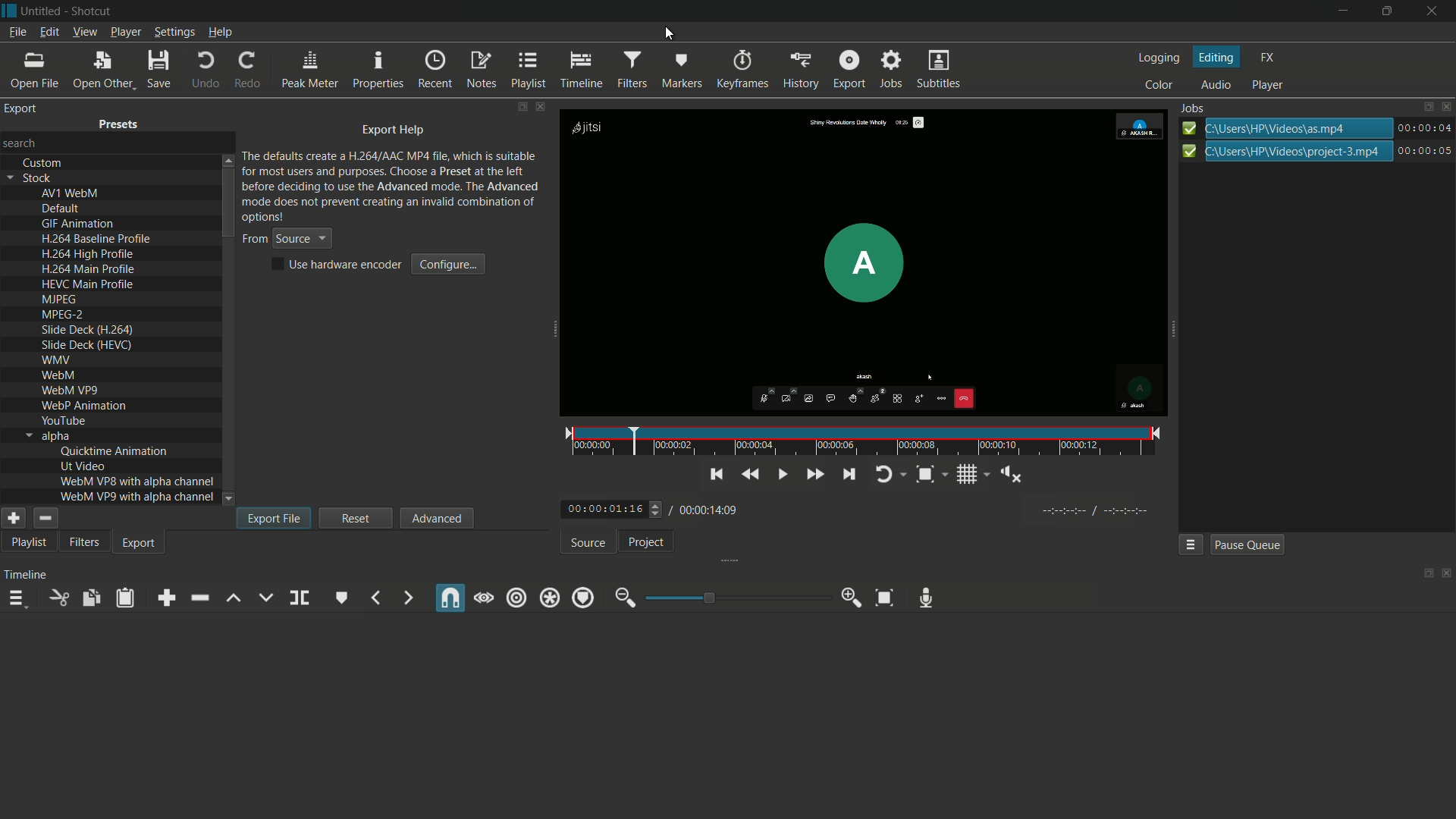  Describe the element at coordinates (265, 598) in the screenshot. I see `overwrite` at that location.